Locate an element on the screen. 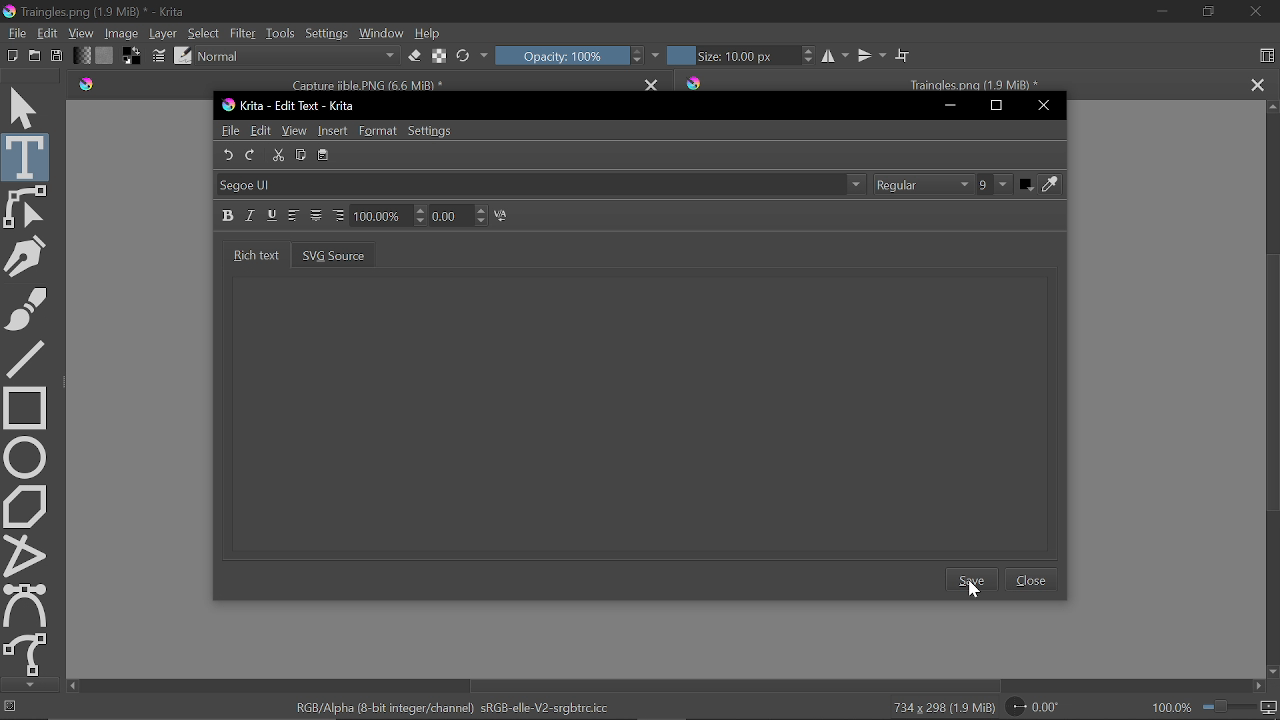 The height and width of the screenshot is (720, 1280). Align left is located at coordinates (294, 216).